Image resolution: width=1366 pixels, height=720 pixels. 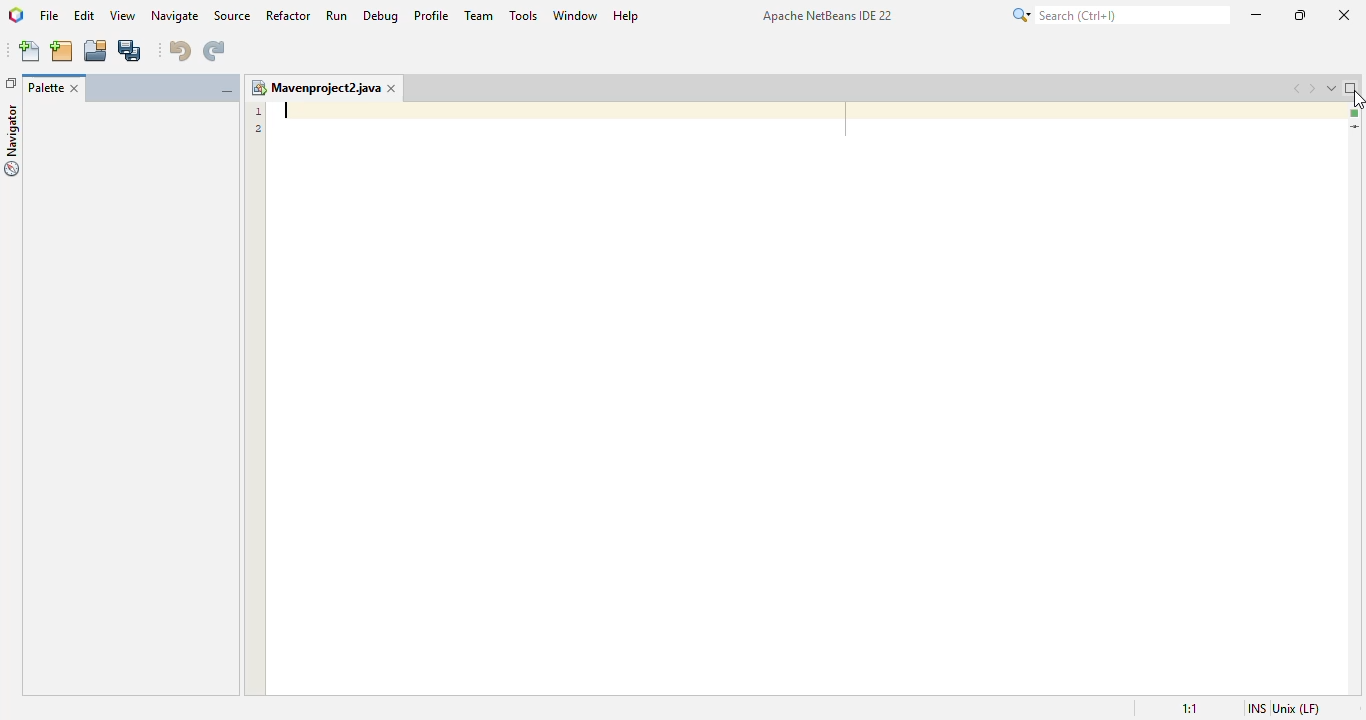 What do you see at coordinates (1312, 89) in the screenshot?
I see `scroll documents right` at bounding box center [1312, 89].